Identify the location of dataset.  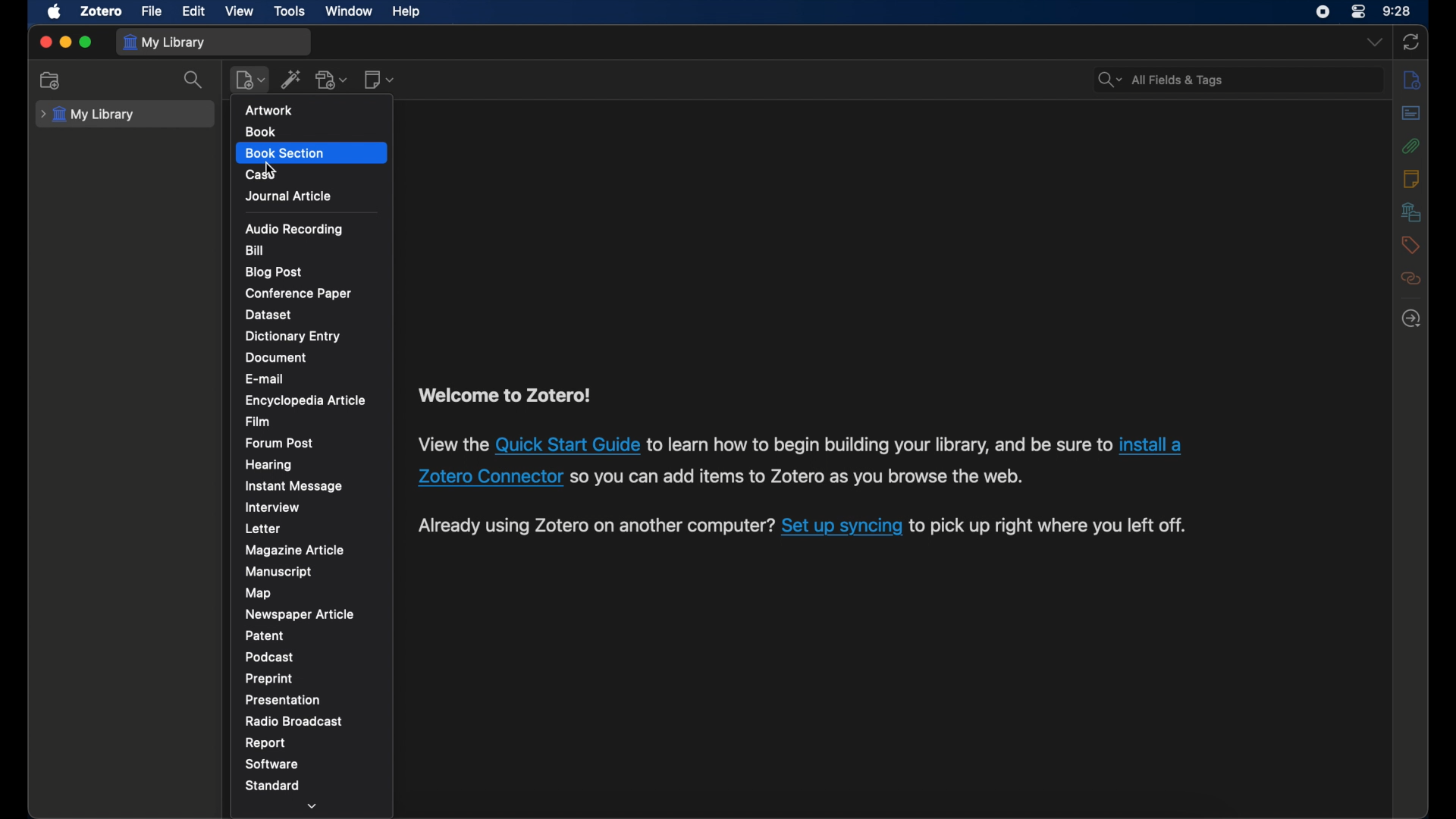
(269, 315).